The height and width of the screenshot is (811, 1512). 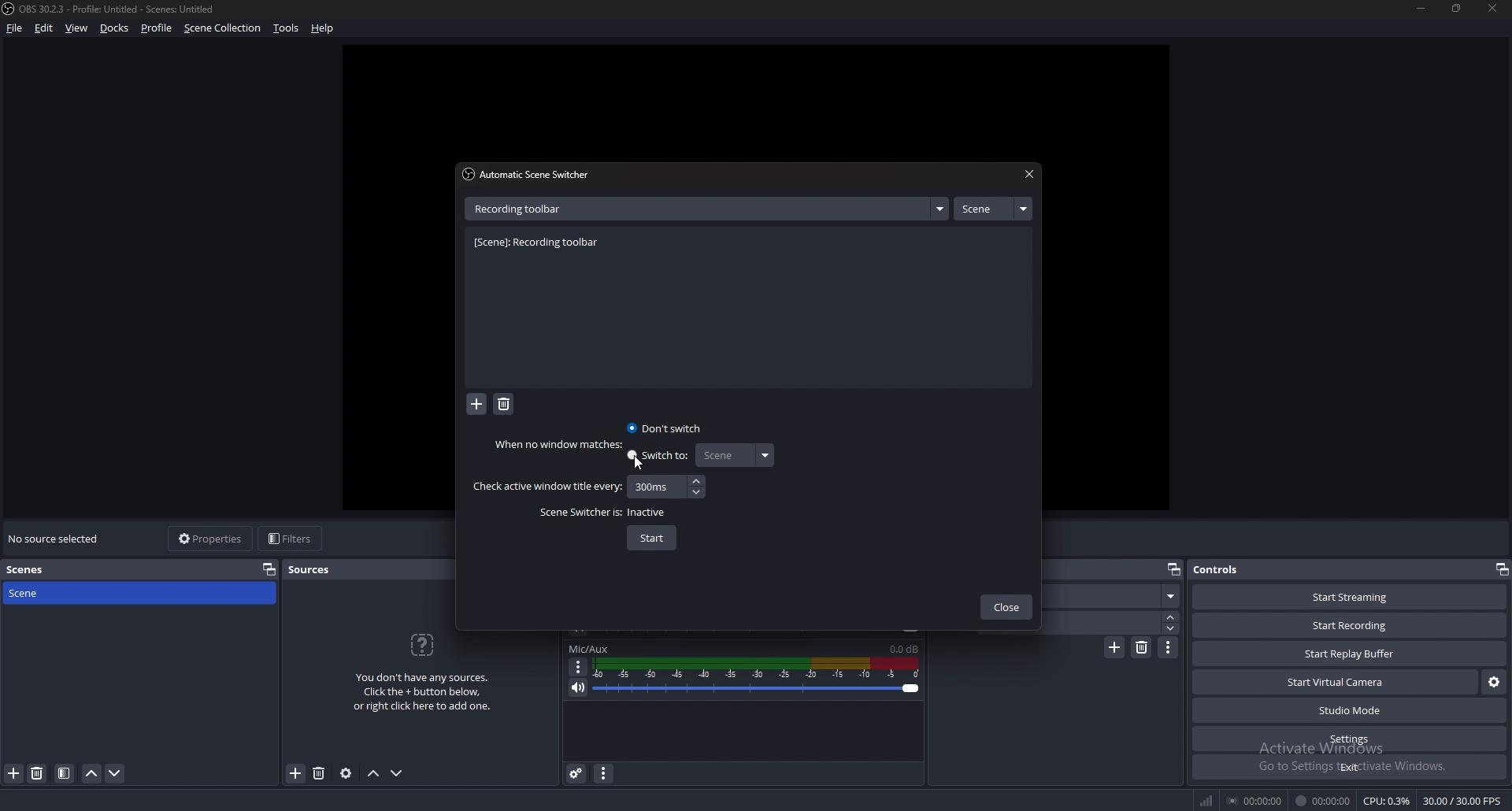 What do you see at coordinates (541, 243) in the screenshot?
I see `recording toolbar` at bounding box center [541, 243].